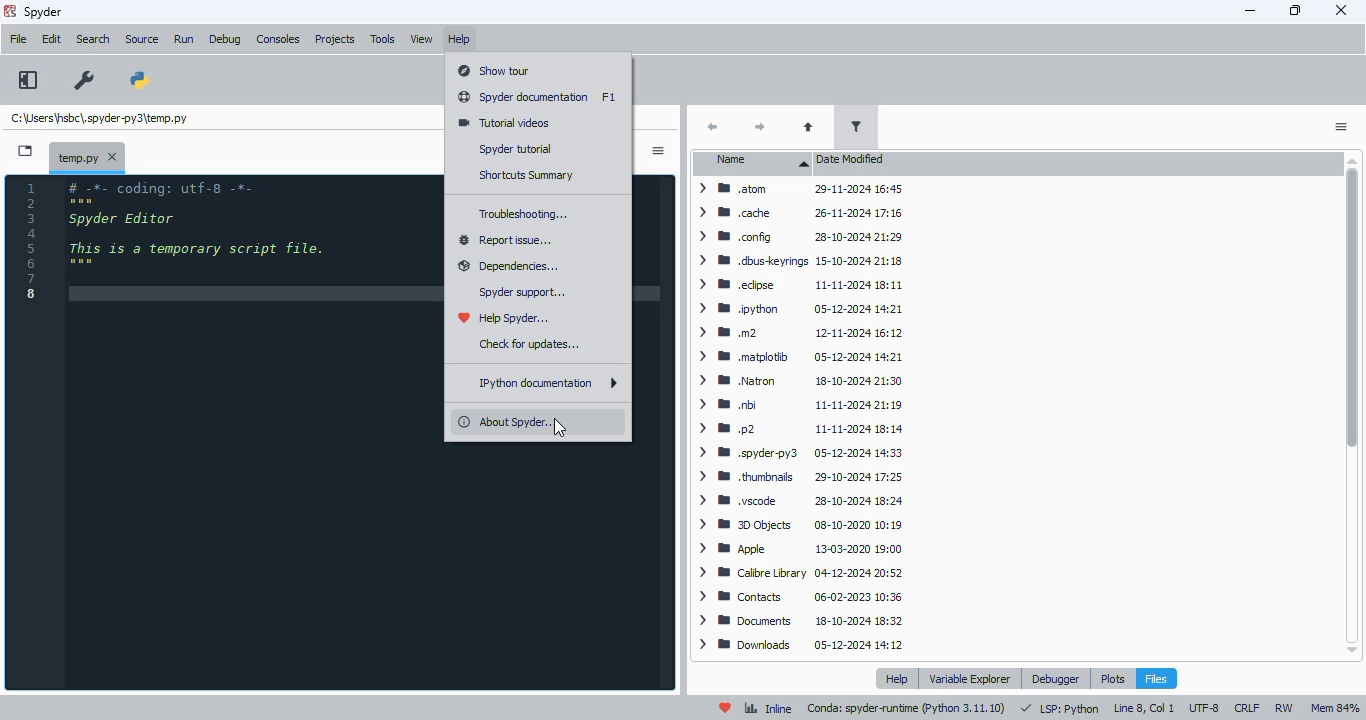  Describe the element at coordinates (801, 646) in the screenshot. I see `> WB Downloads 05-12-2024 14:12.` at that location.